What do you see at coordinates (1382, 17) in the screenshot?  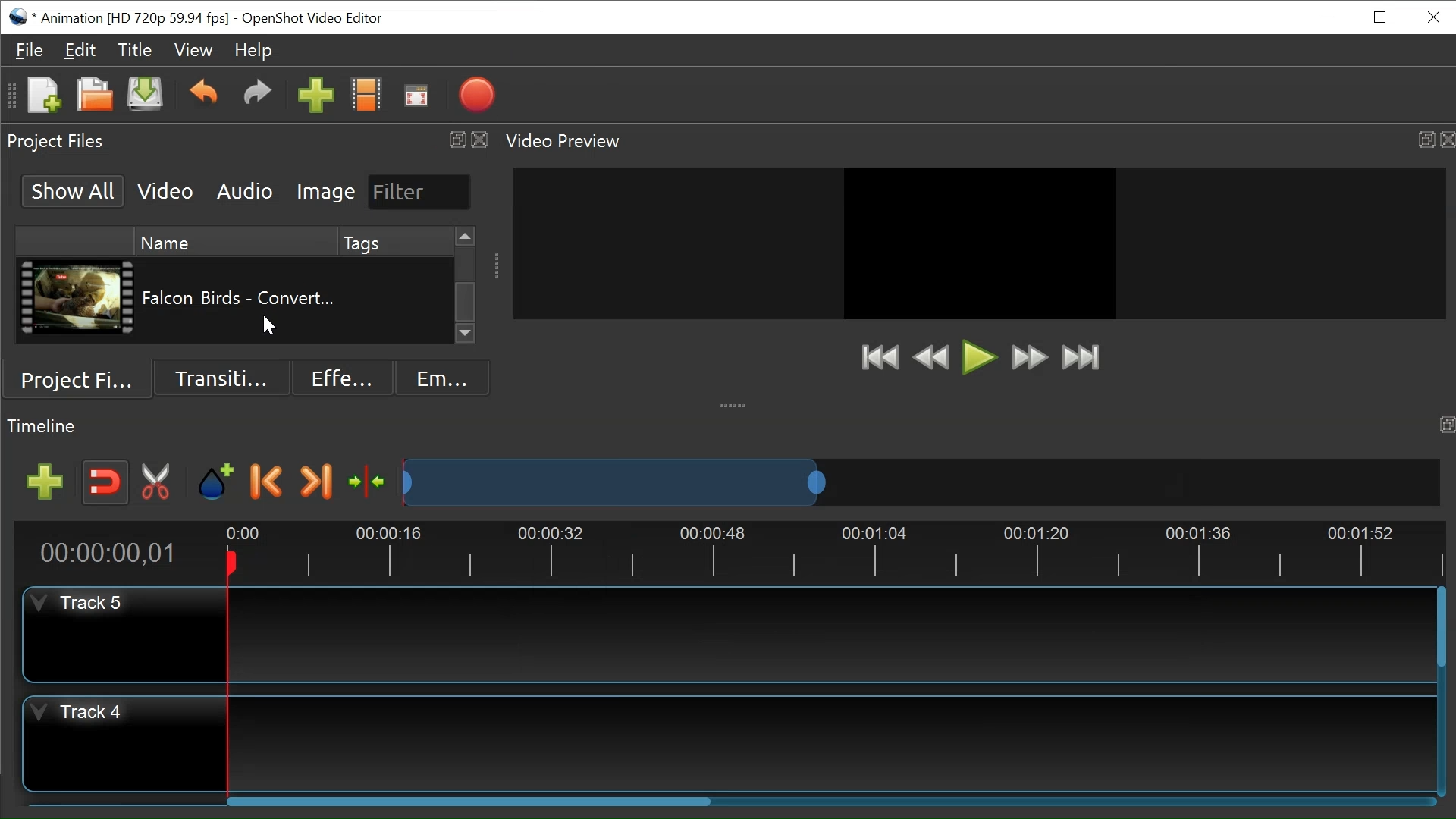 I see `Restore` at bounding box center [1382, 17].